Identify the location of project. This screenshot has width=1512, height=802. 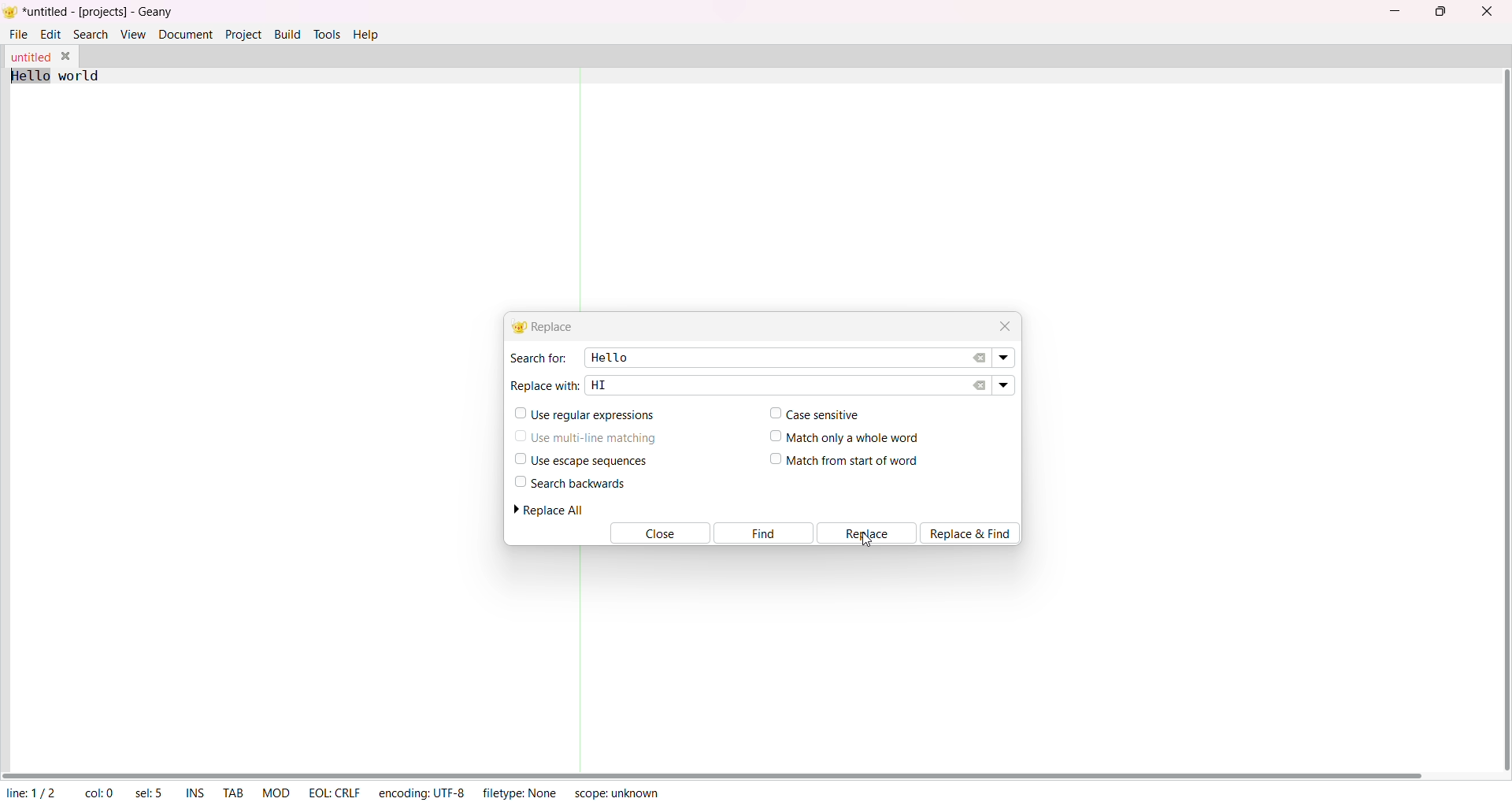
(243, 33).